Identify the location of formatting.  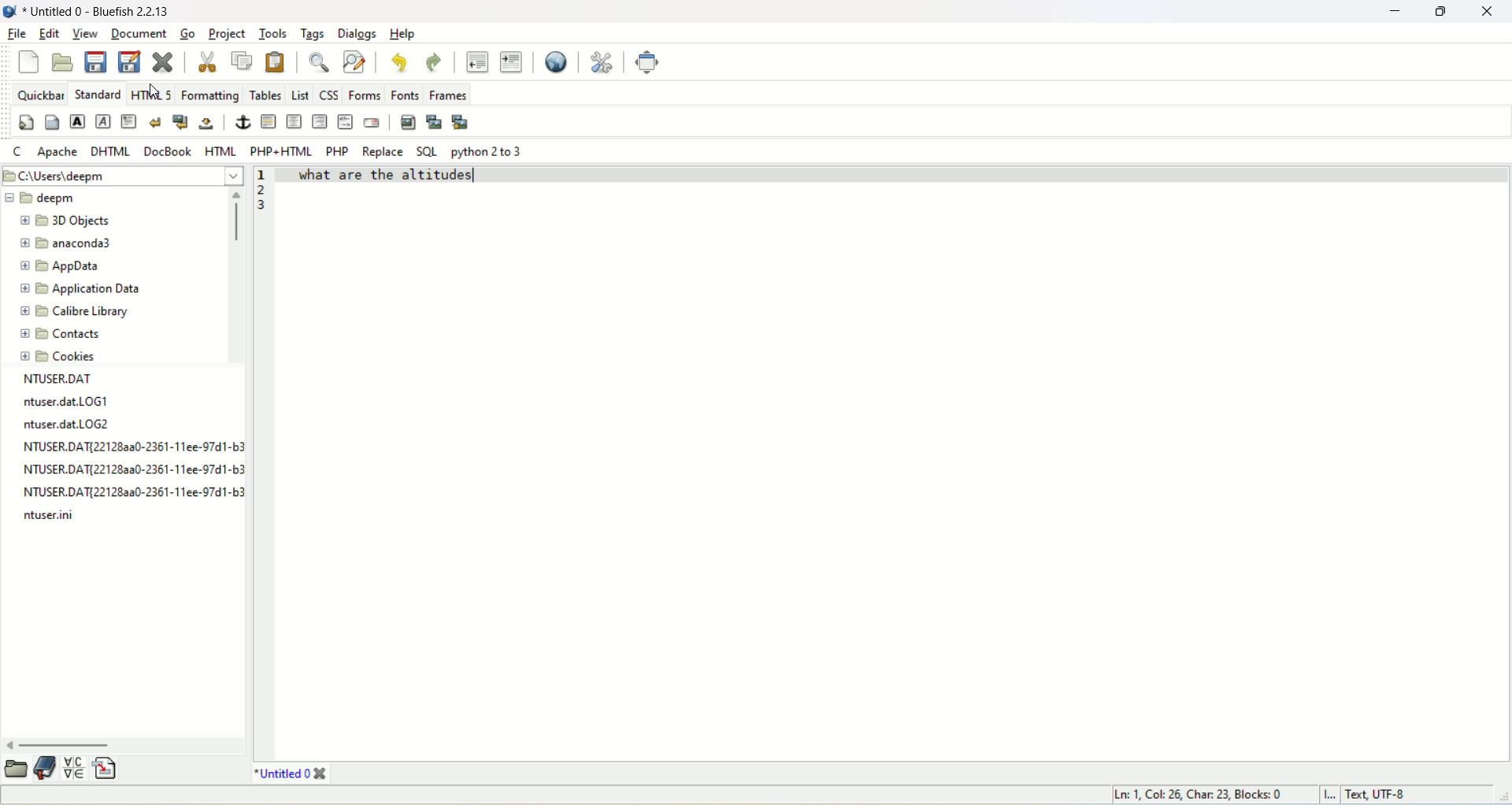
(212, 95).